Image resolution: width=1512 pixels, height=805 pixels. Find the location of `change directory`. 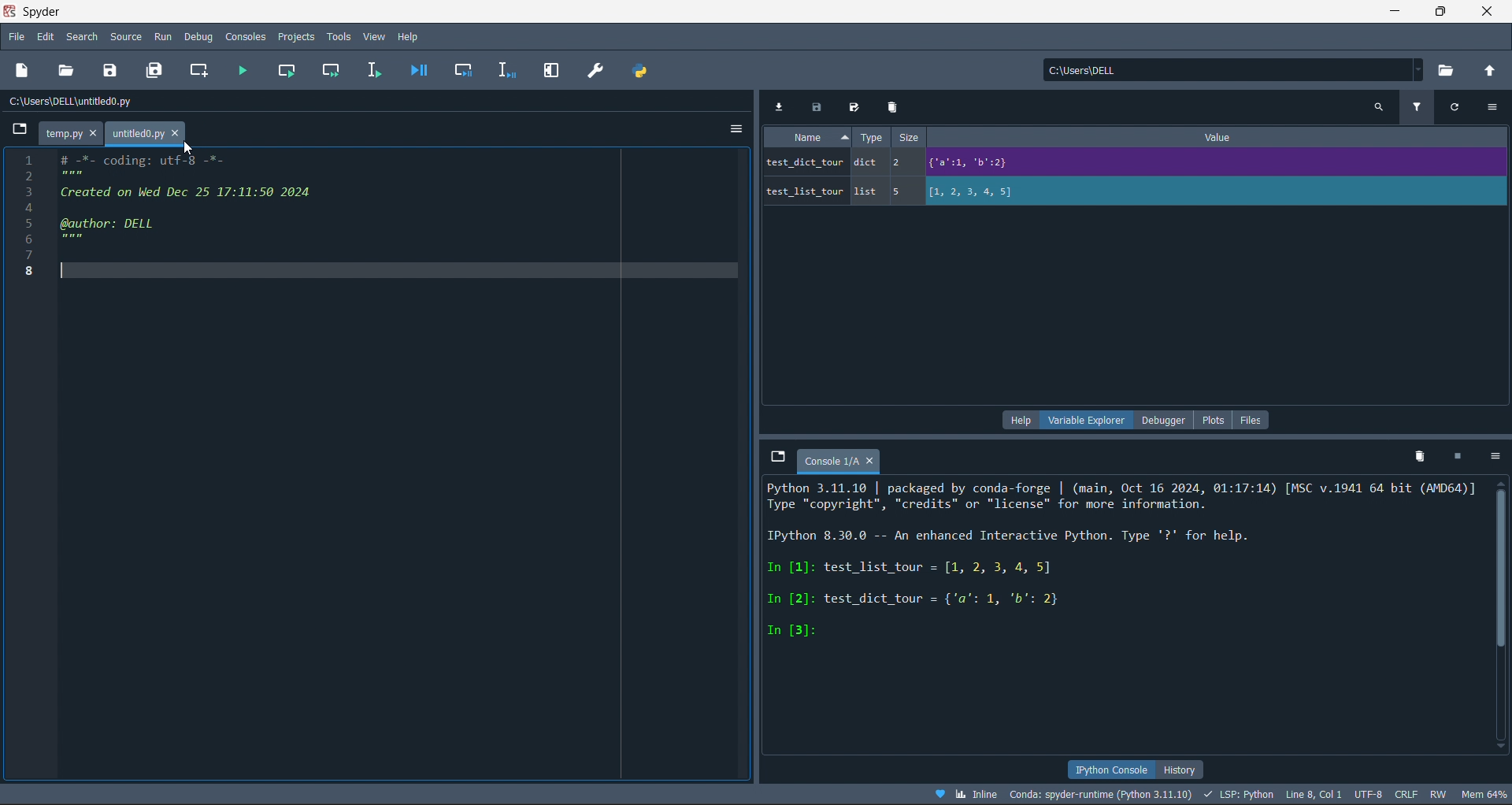

change directory is located at coordinates (1488, 72).